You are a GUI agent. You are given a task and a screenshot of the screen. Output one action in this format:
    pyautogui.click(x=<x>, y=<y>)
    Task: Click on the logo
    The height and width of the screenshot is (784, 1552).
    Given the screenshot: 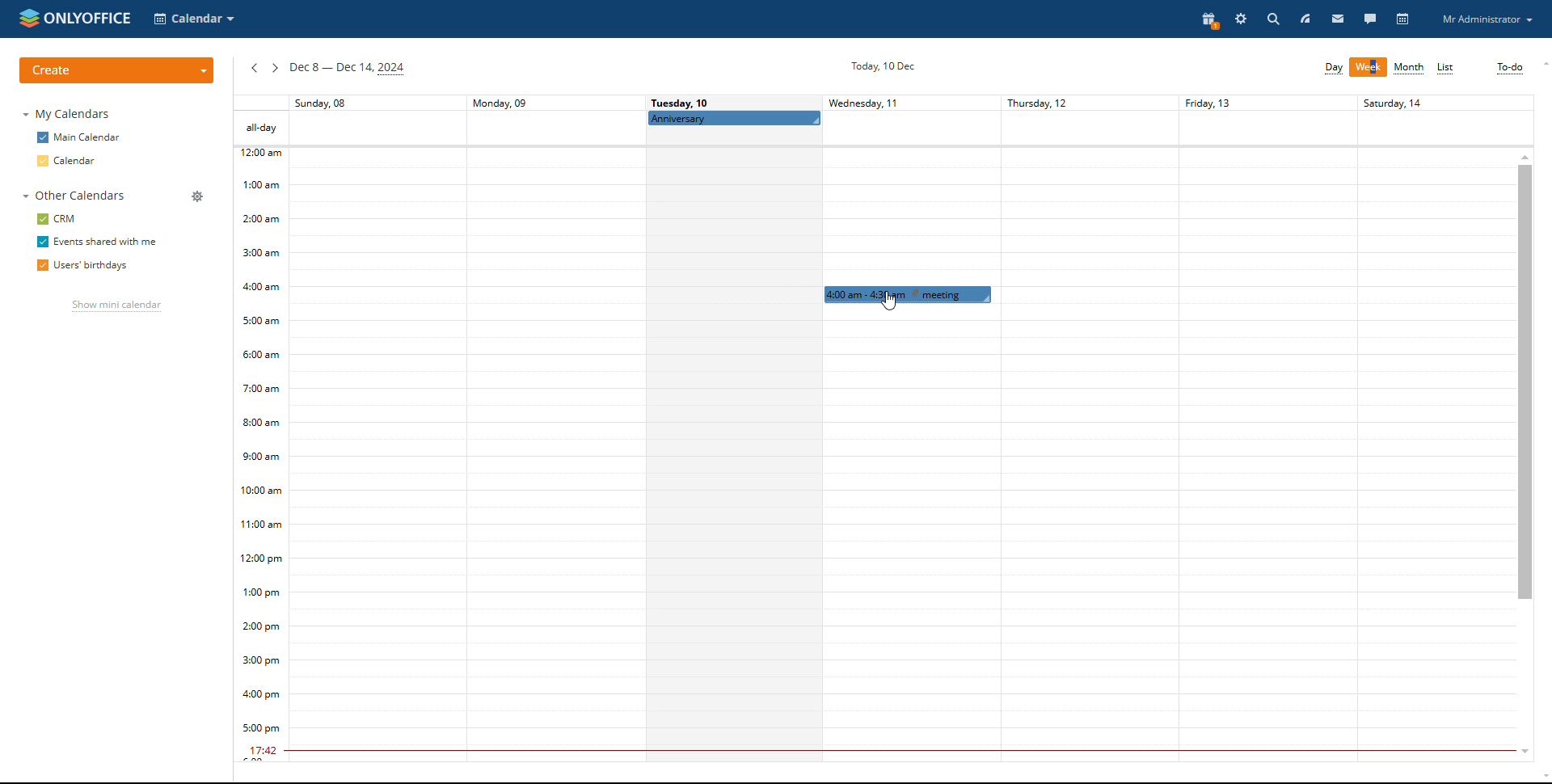 What is the action you would take?
    pyautogui.click(x=75, y=18)
    